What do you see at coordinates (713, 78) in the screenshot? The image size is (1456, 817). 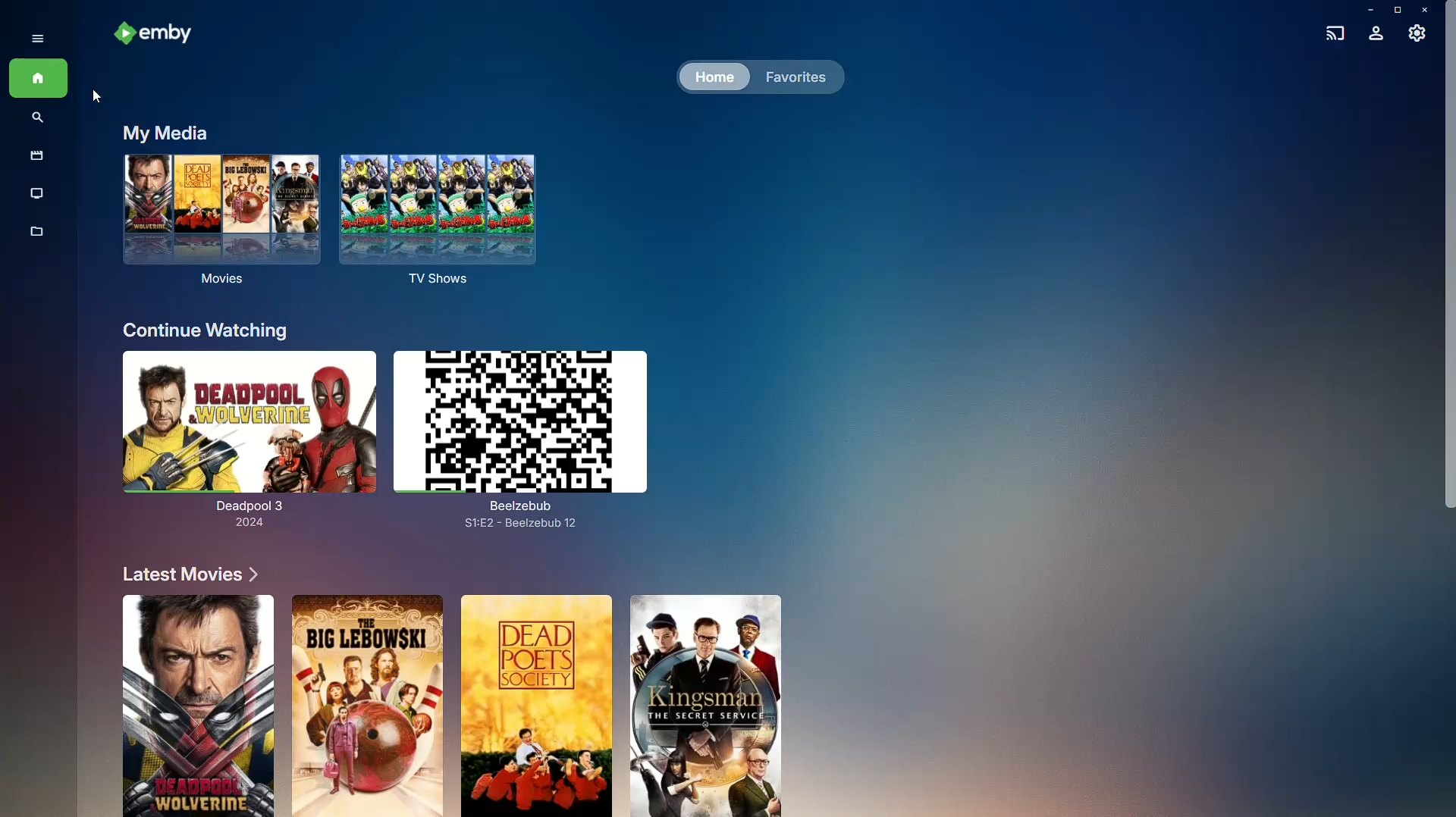 I see `Home` at bounding box center [713, 78].